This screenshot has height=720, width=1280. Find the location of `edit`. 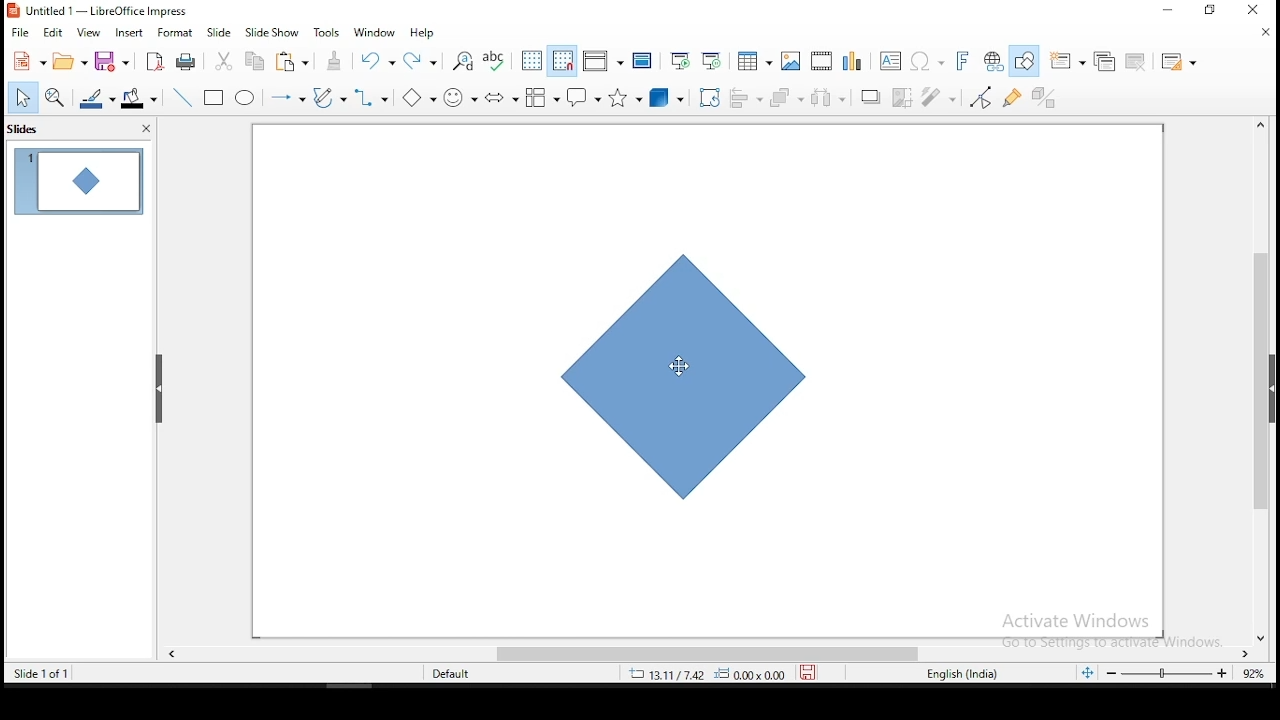

edit is located at coordinates (51, 32).